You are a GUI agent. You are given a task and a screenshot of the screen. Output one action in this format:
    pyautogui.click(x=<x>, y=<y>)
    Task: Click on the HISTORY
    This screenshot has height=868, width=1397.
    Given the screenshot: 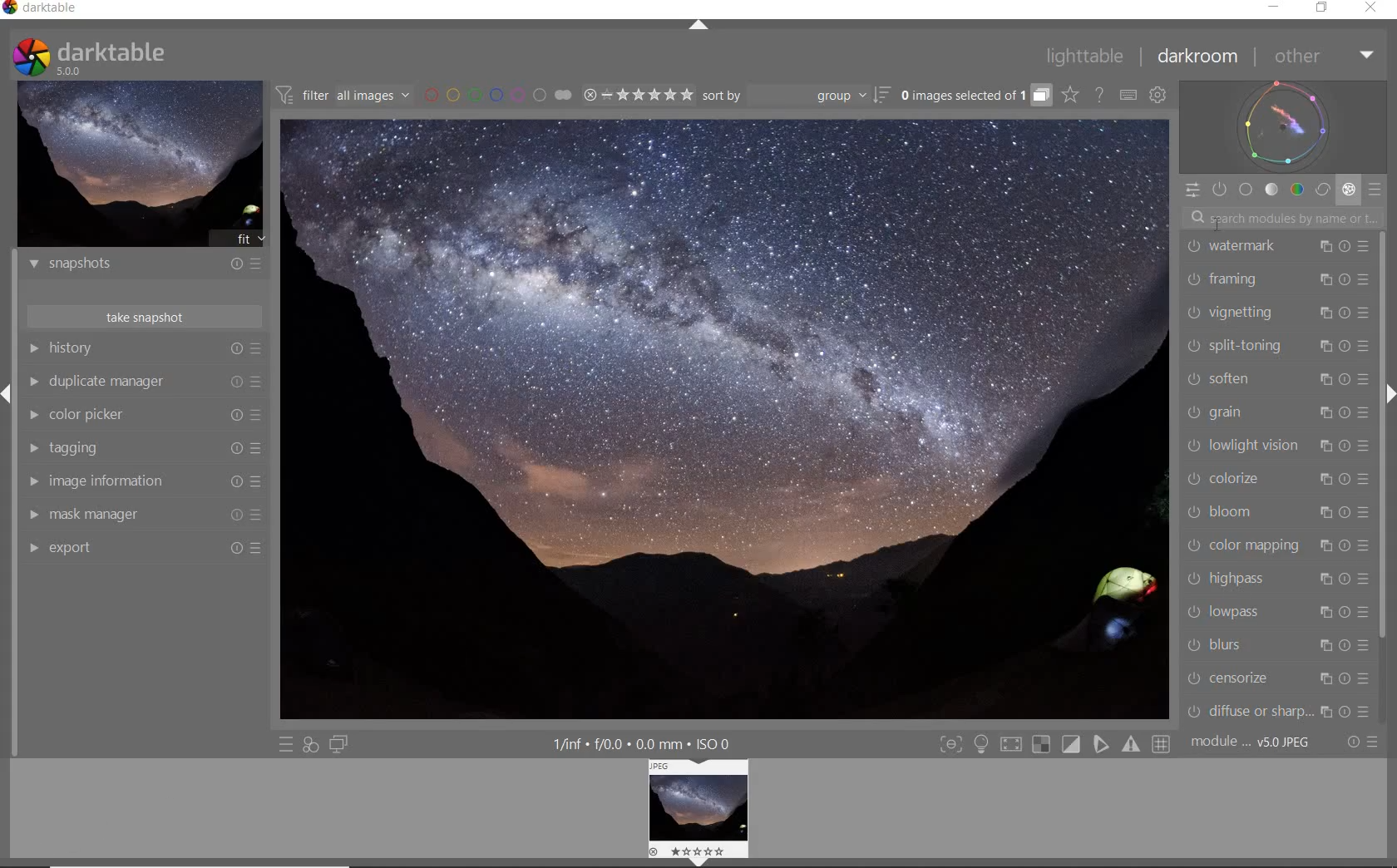 What is the action you would take?
    pyautogui.click(x=33, y=348)
    